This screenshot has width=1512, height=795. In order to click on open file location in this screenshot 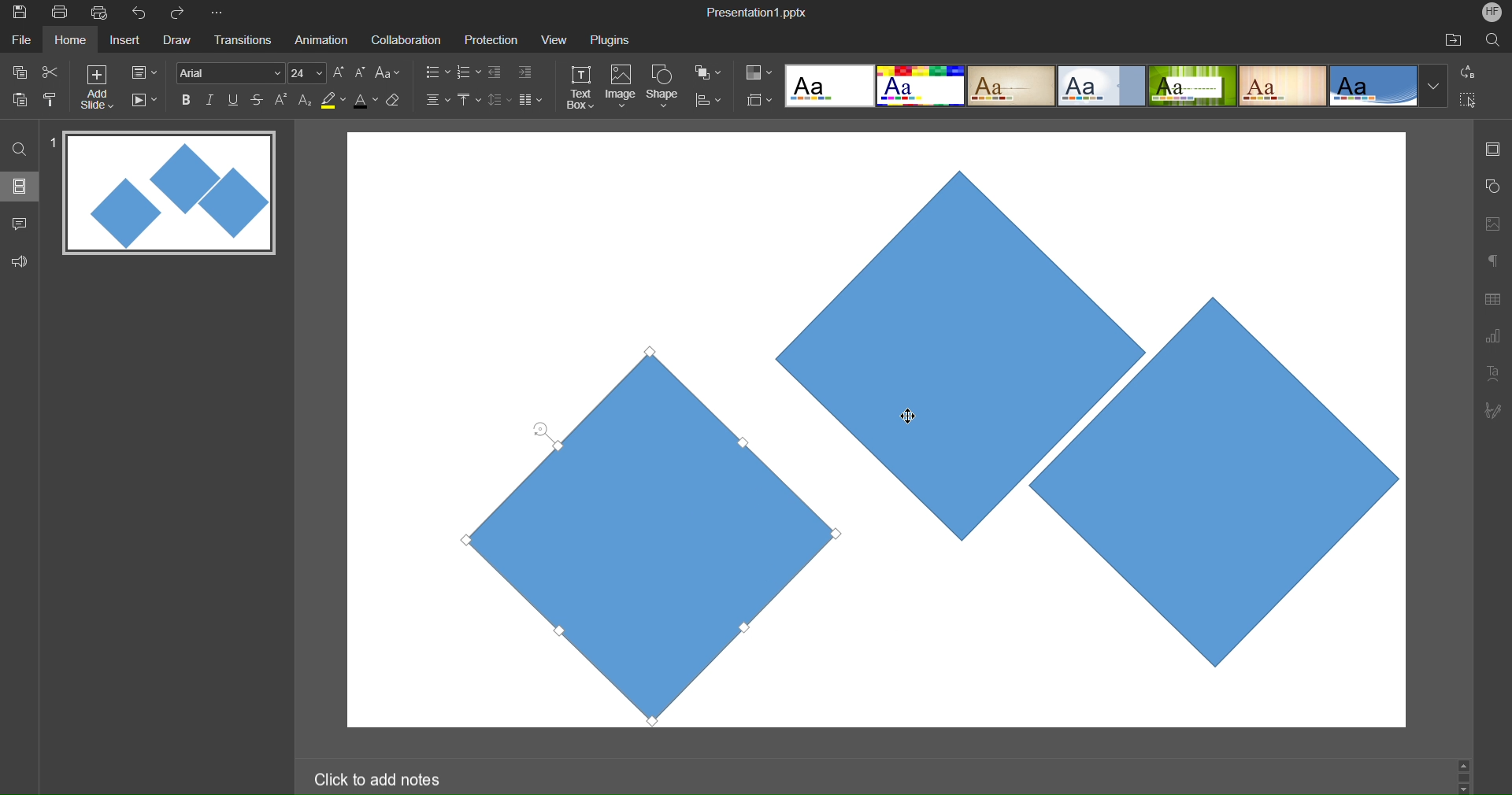, I will do `click(1453, 39)`.